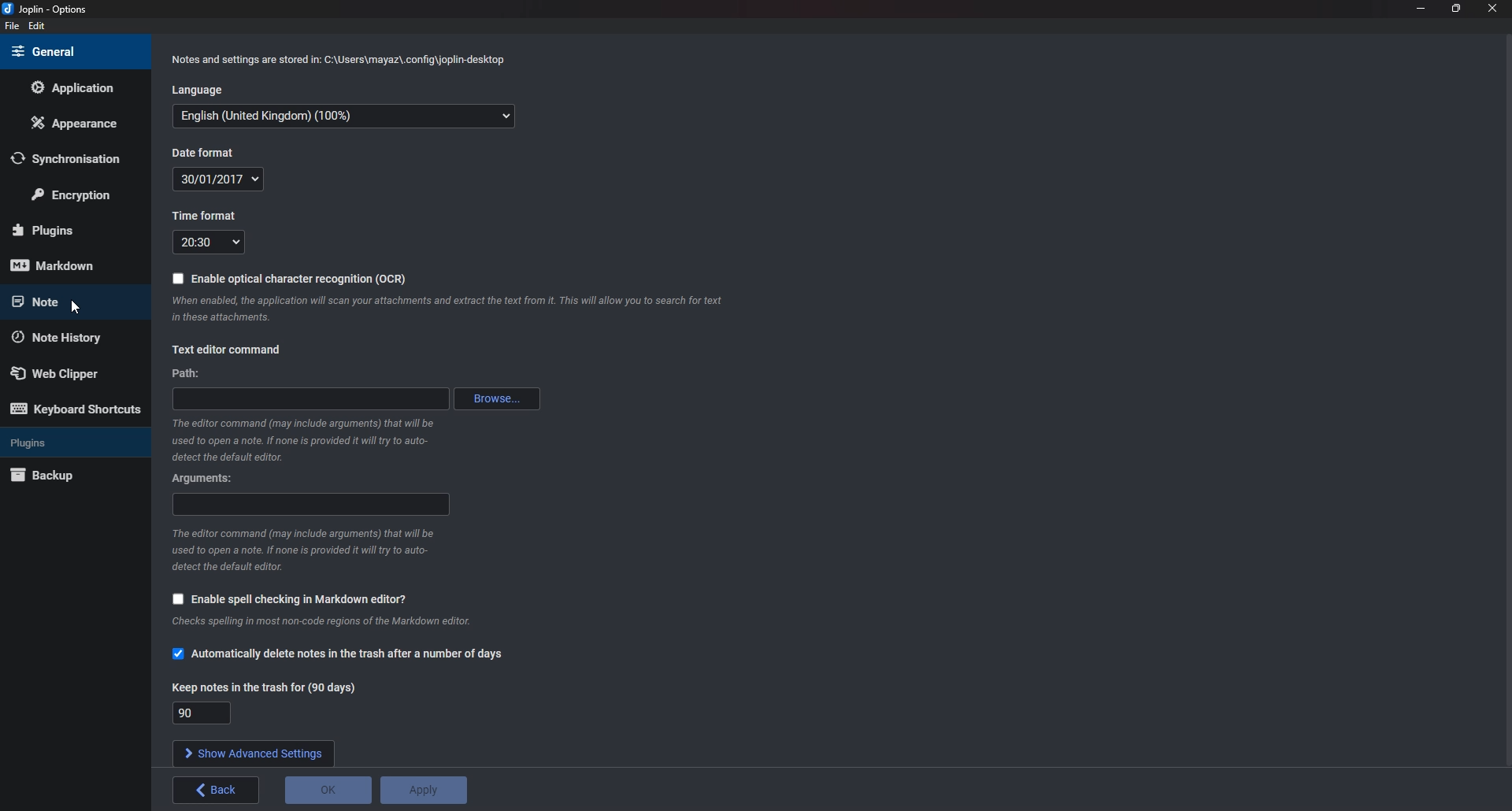 This screenshot has width=1512, height=811. I want to click on Date format, so click(225, 178).